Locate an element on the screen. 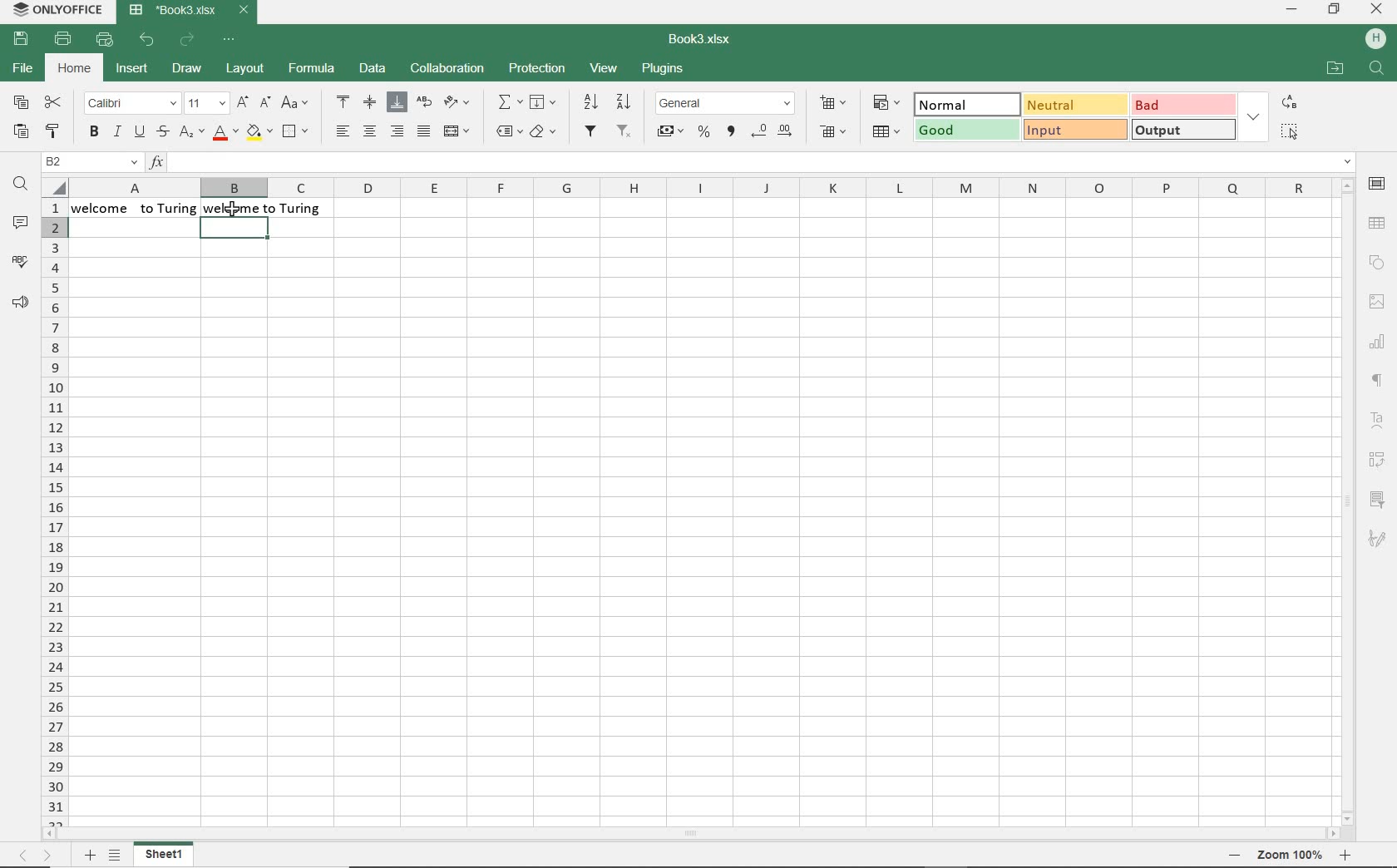 This screenshot has height=868, width=1397. strikethrough is located at coordinates (164, 133).